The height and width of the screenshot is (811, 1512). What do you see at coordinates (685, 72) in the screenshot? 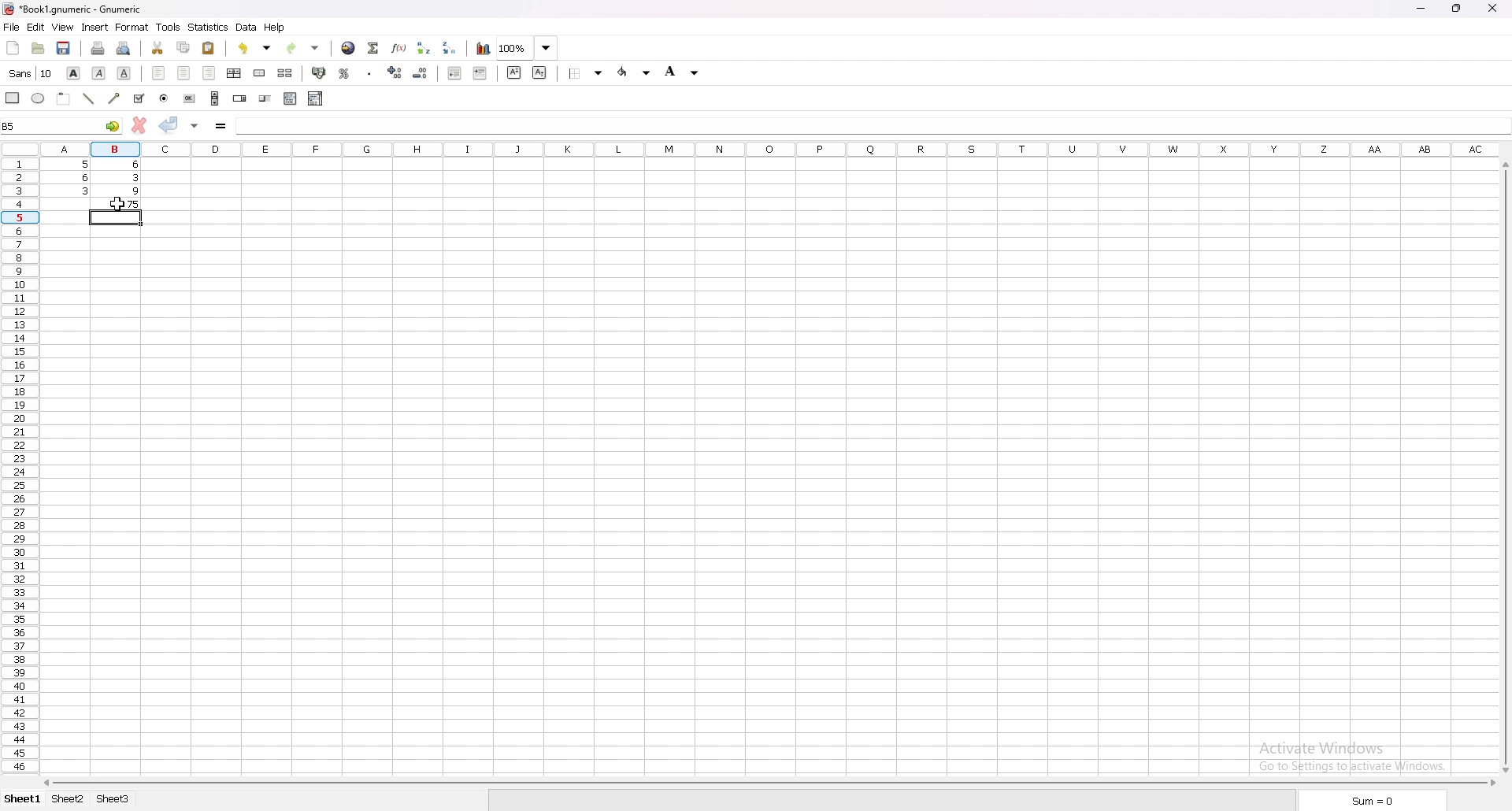
I see `foreground` at bounding box center [685, 72].